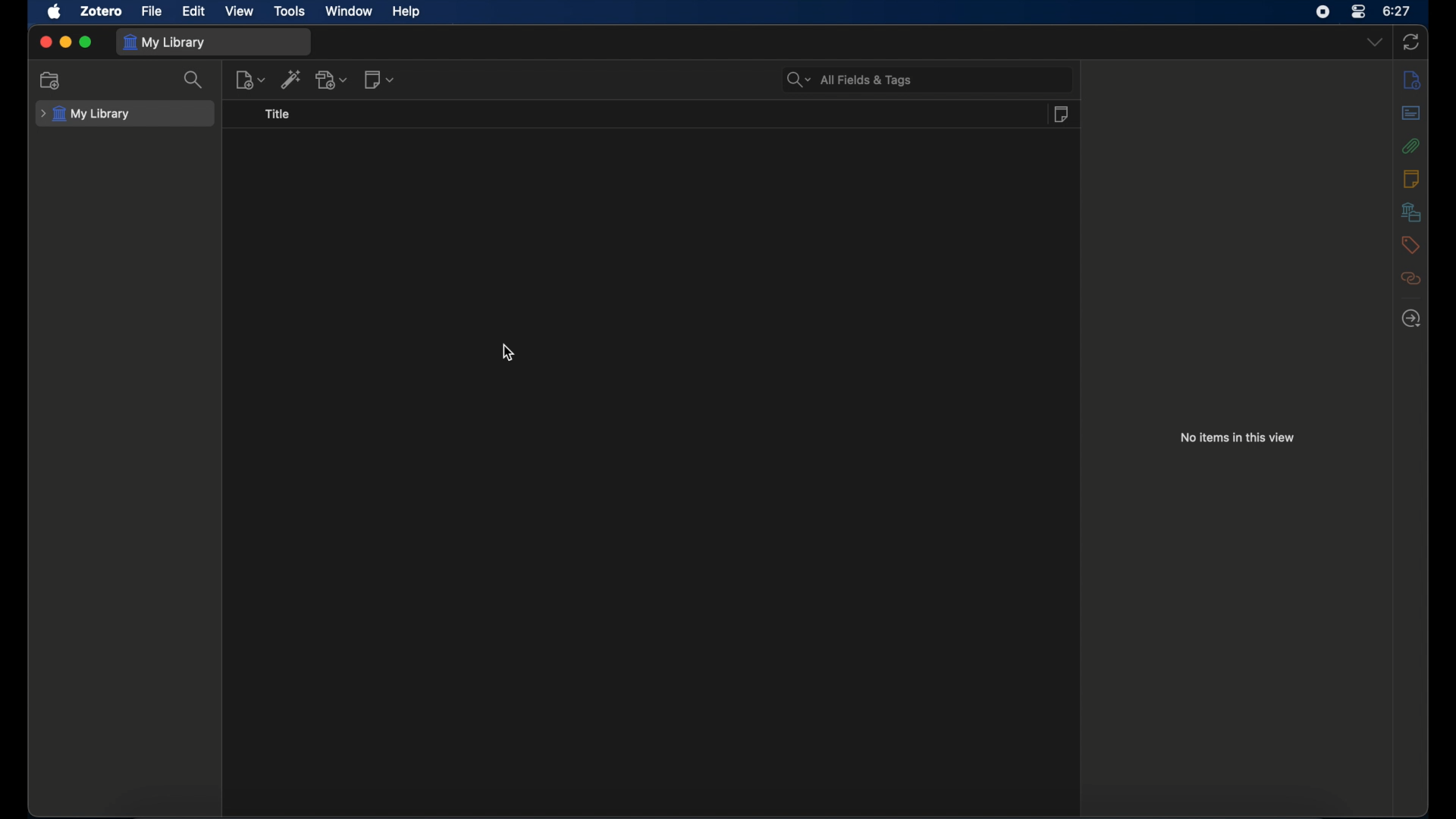 The width and height of the screenshot is (1456, 819). What do you see at coordinates (1412, 112) in the screenshot?
I see `abstract` at bounding box center [1412, 112].